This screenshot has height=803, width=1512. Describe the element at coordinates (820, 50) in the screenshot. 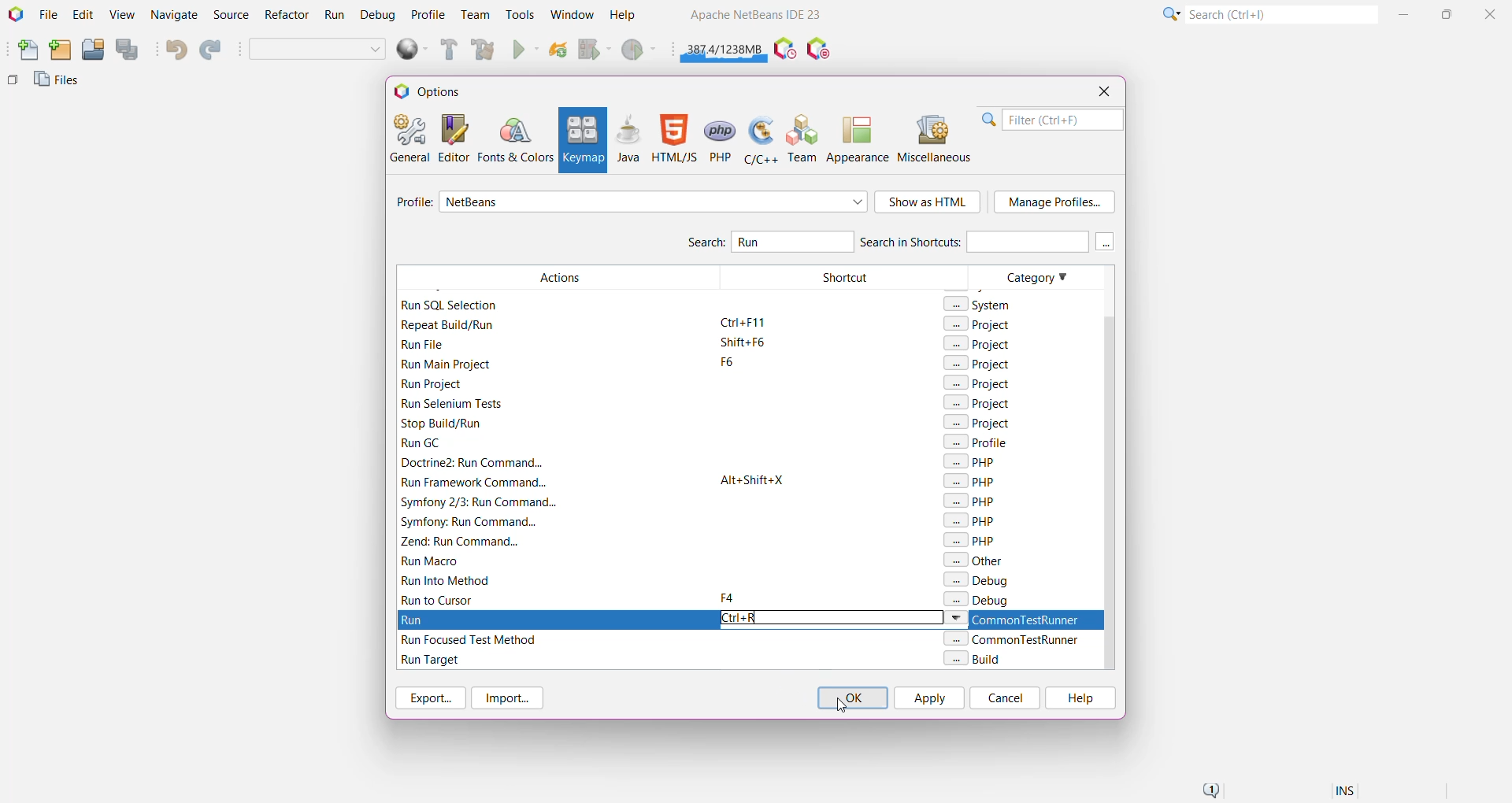

I see `Pause I/O Checks` at that location.